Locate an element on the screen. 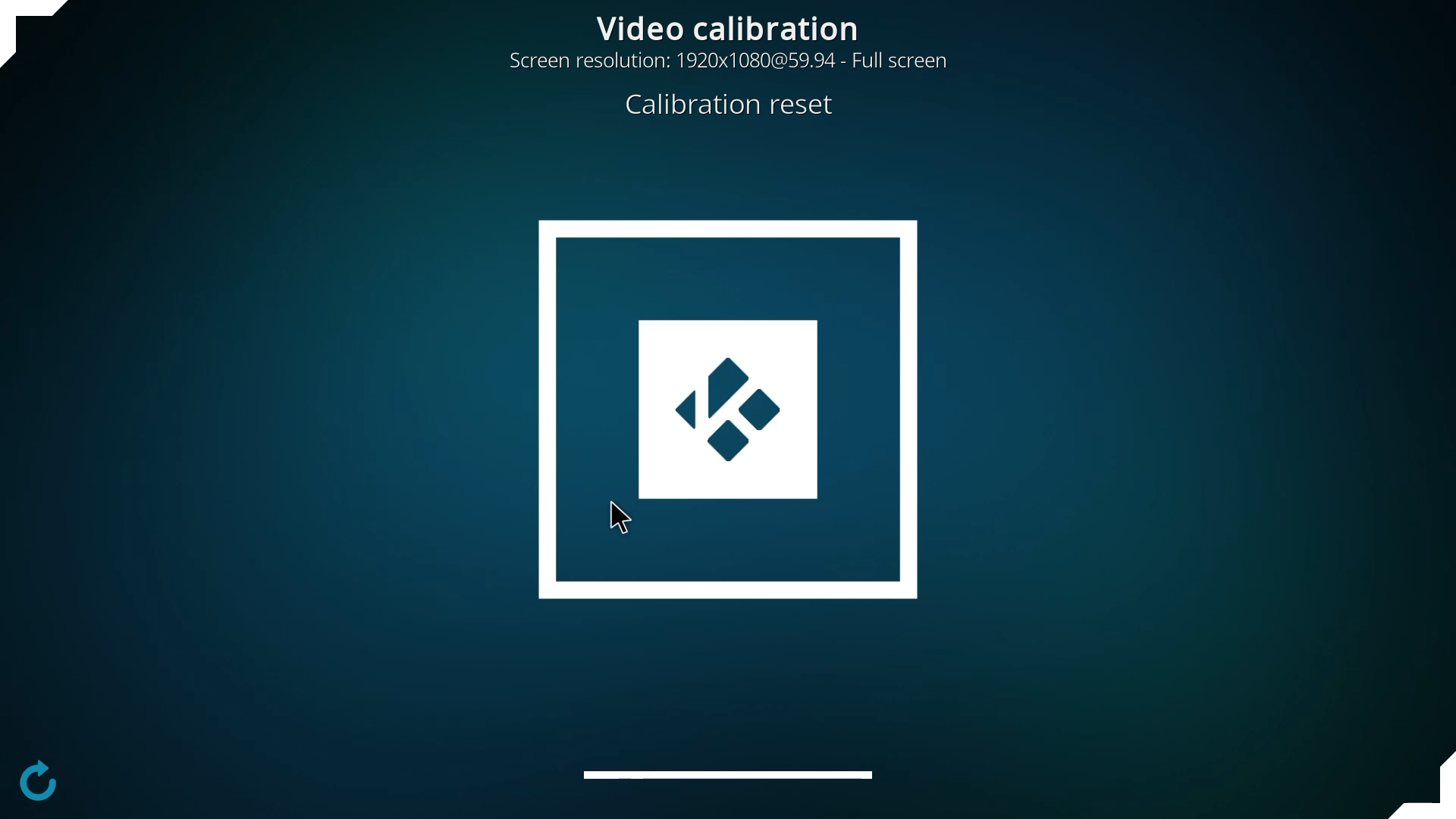 The image size is (1456, 819). reset is located at coordinates (717, 109).